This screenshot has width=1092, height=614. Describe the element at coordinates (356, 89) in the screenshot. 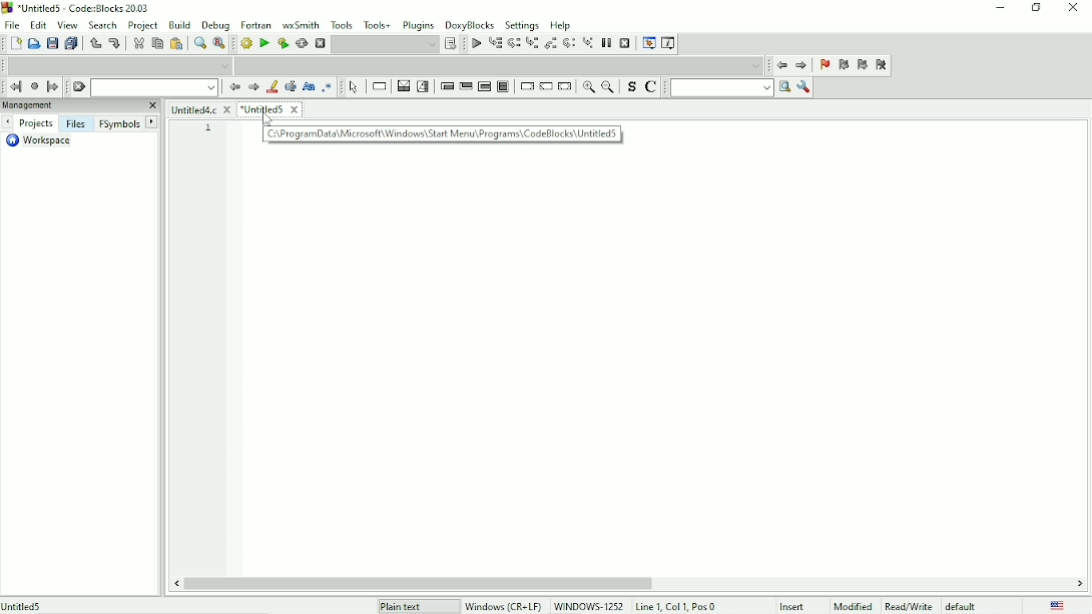

I see `select` at that location.